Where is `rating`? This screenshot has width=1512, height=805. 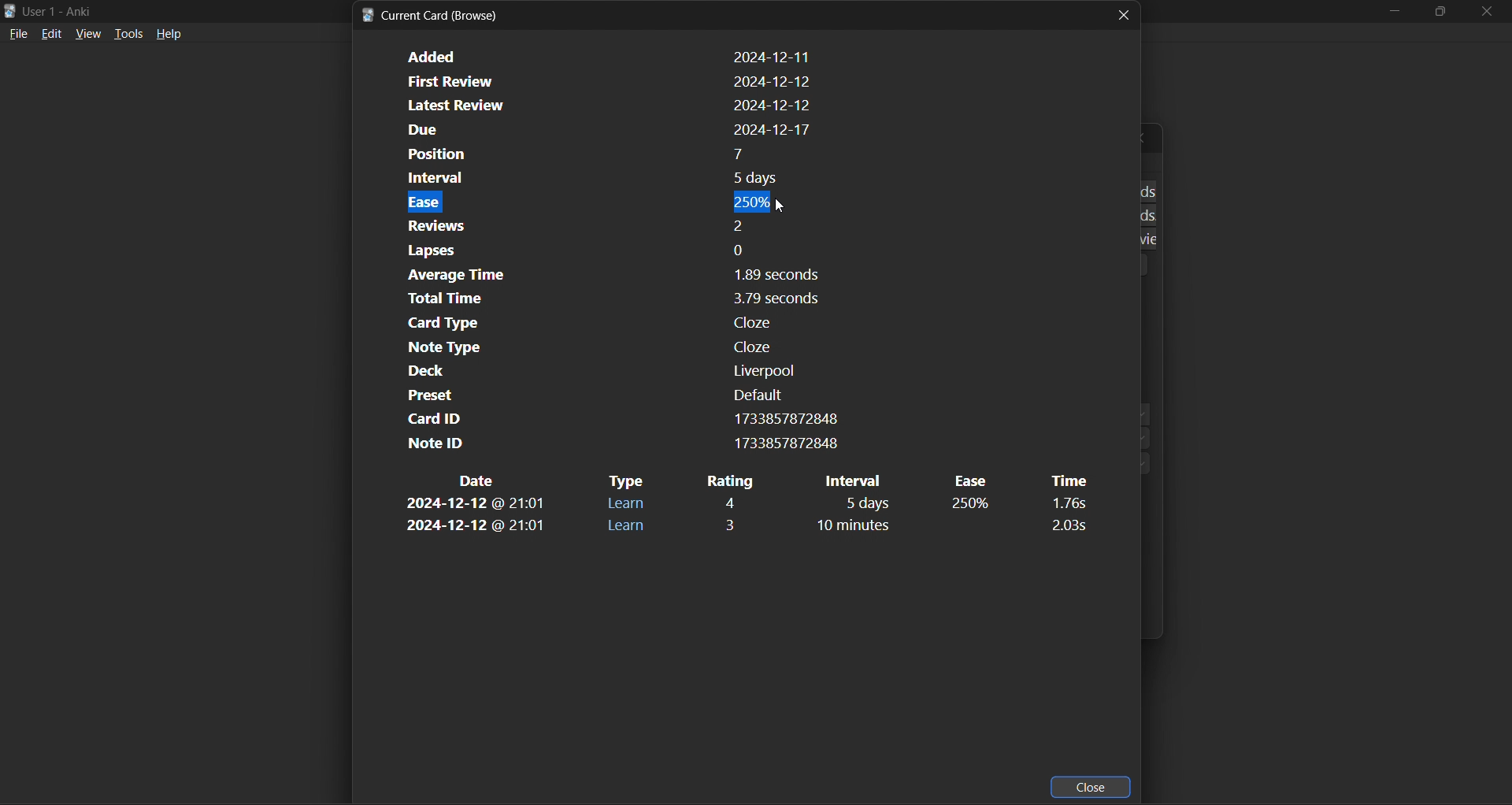 rating is located at coordinates (735, 523).